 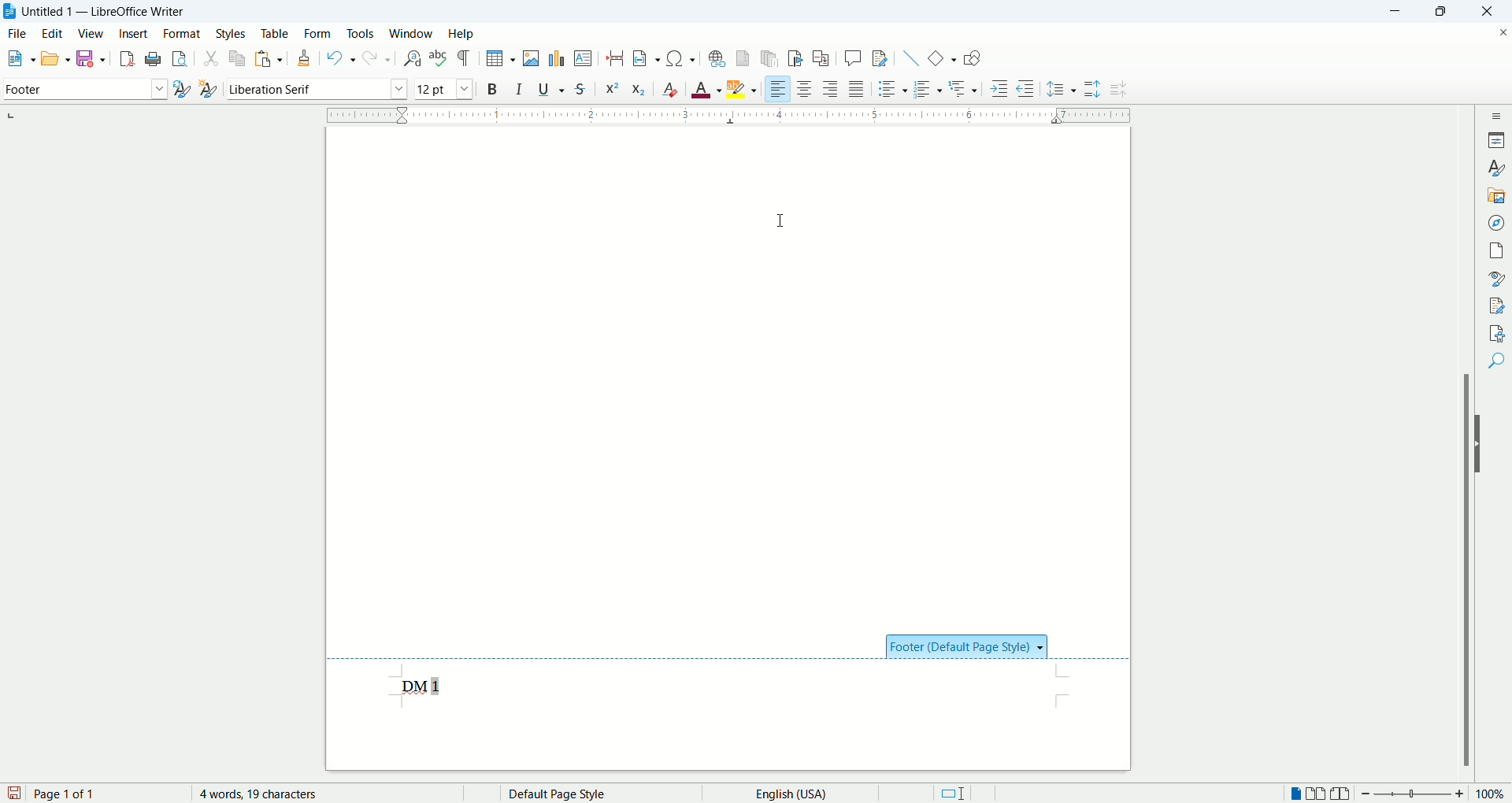 What do you see at coordinates (1092, 90) in the screenshot?
I see `increase paragraph spacing` at bounding box center [1092, 90].